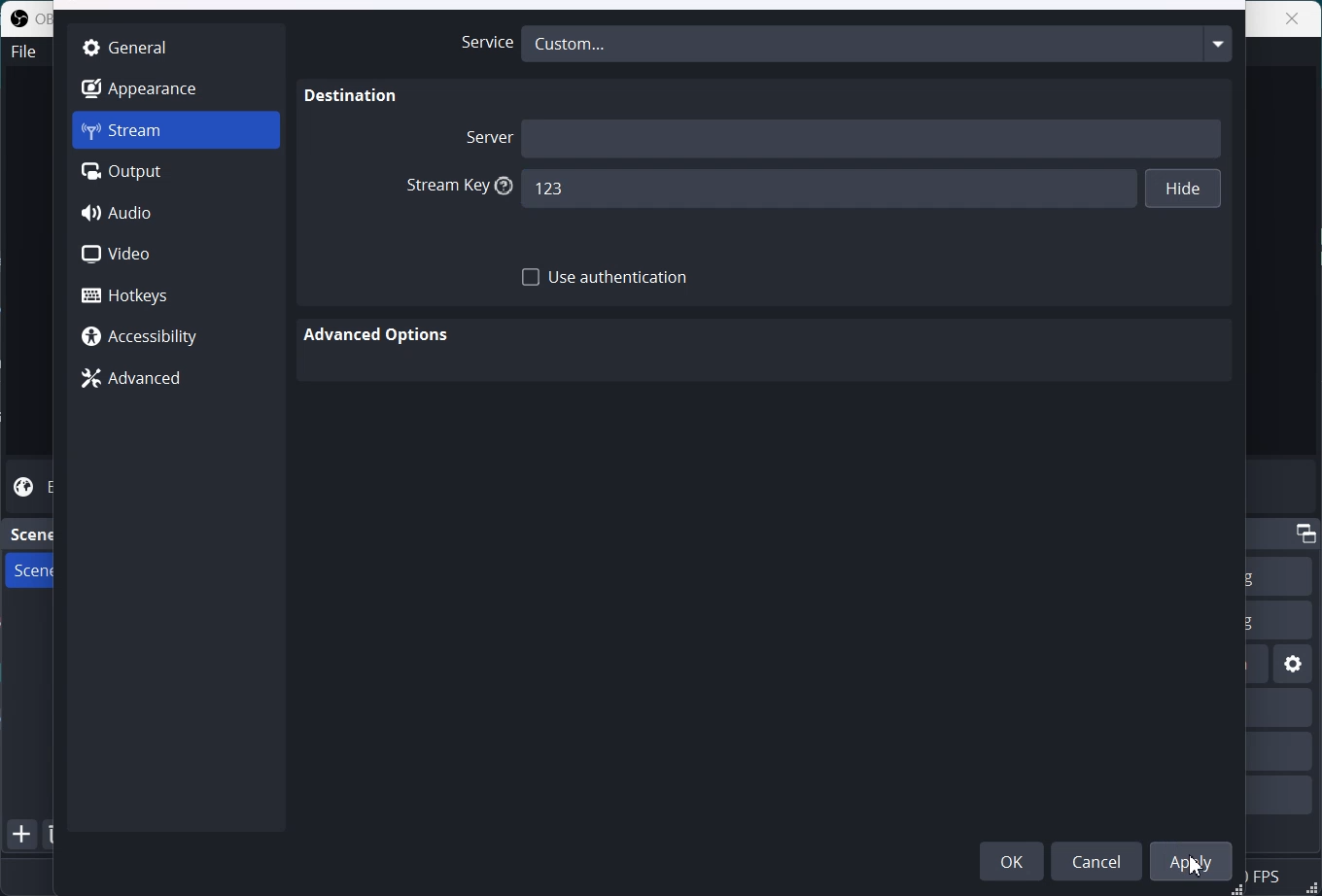 The image size is (1322, 896). What do you see at coordinates (175, 46) in the screenshot?
I see `General` at bounding box center [175, 46].